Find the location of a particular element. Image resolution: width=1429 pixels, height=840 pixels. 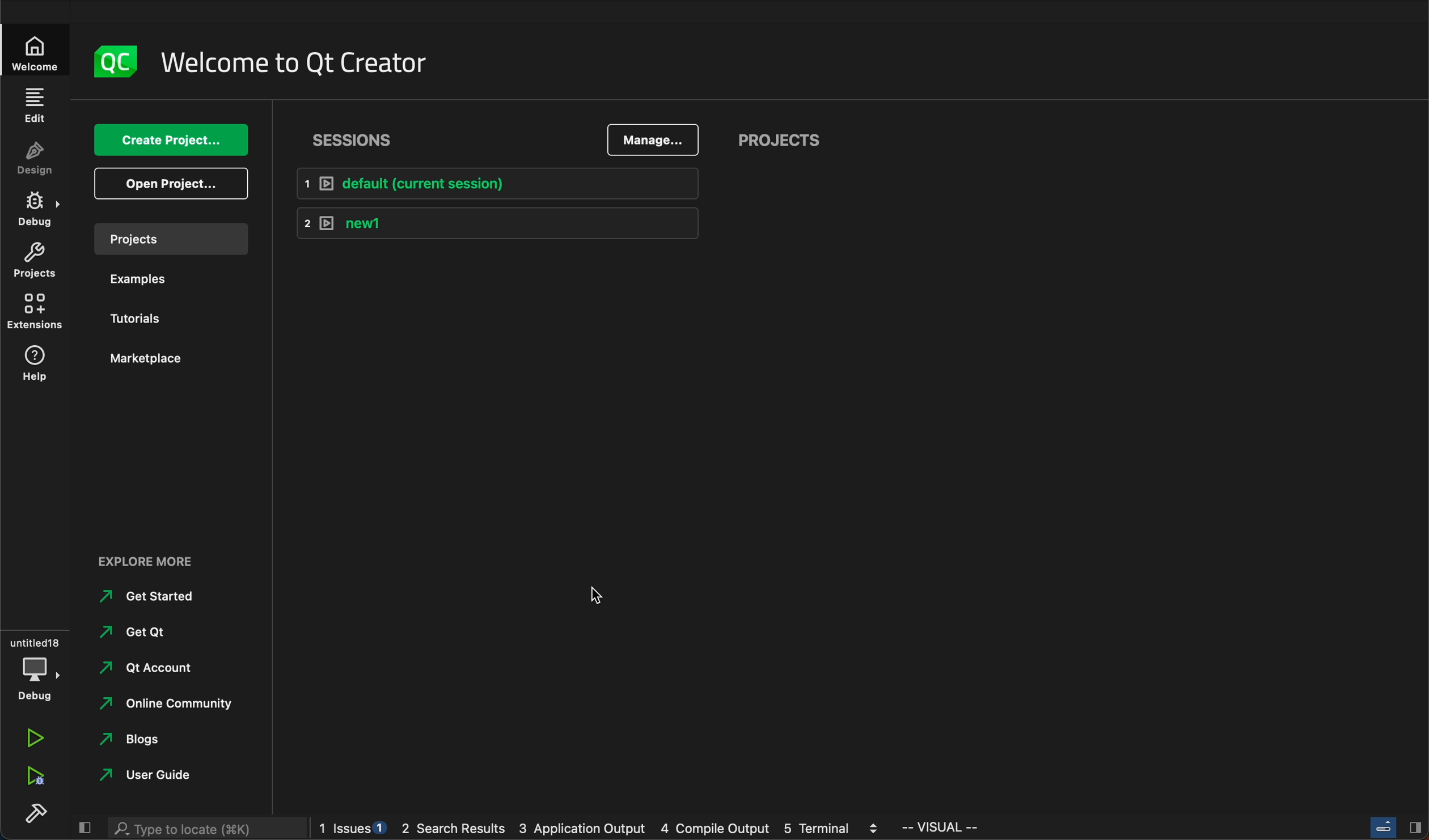

debug is located at coordinates (33, 667).